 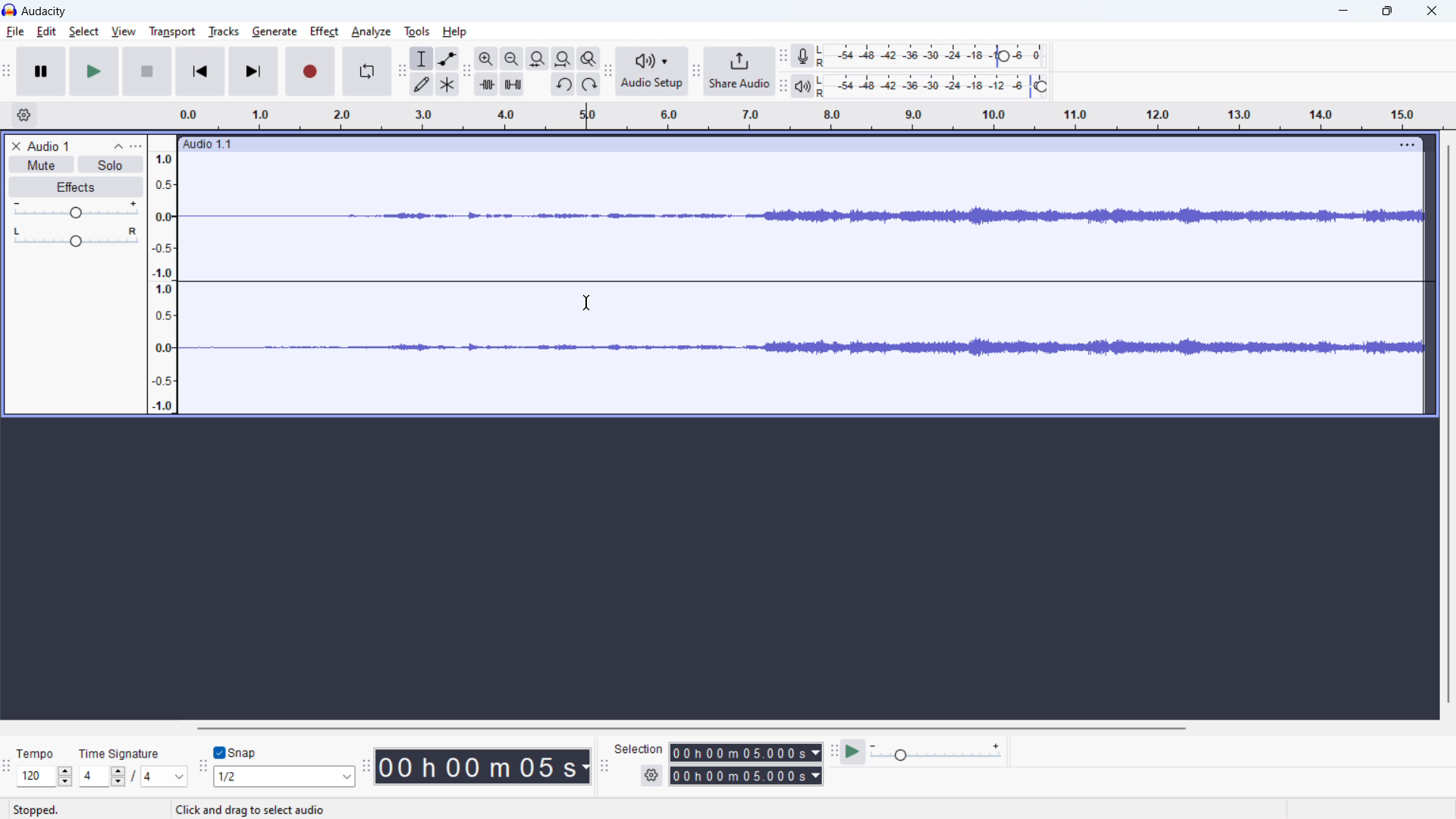 I want to click on file, so click(x=14, y=33).